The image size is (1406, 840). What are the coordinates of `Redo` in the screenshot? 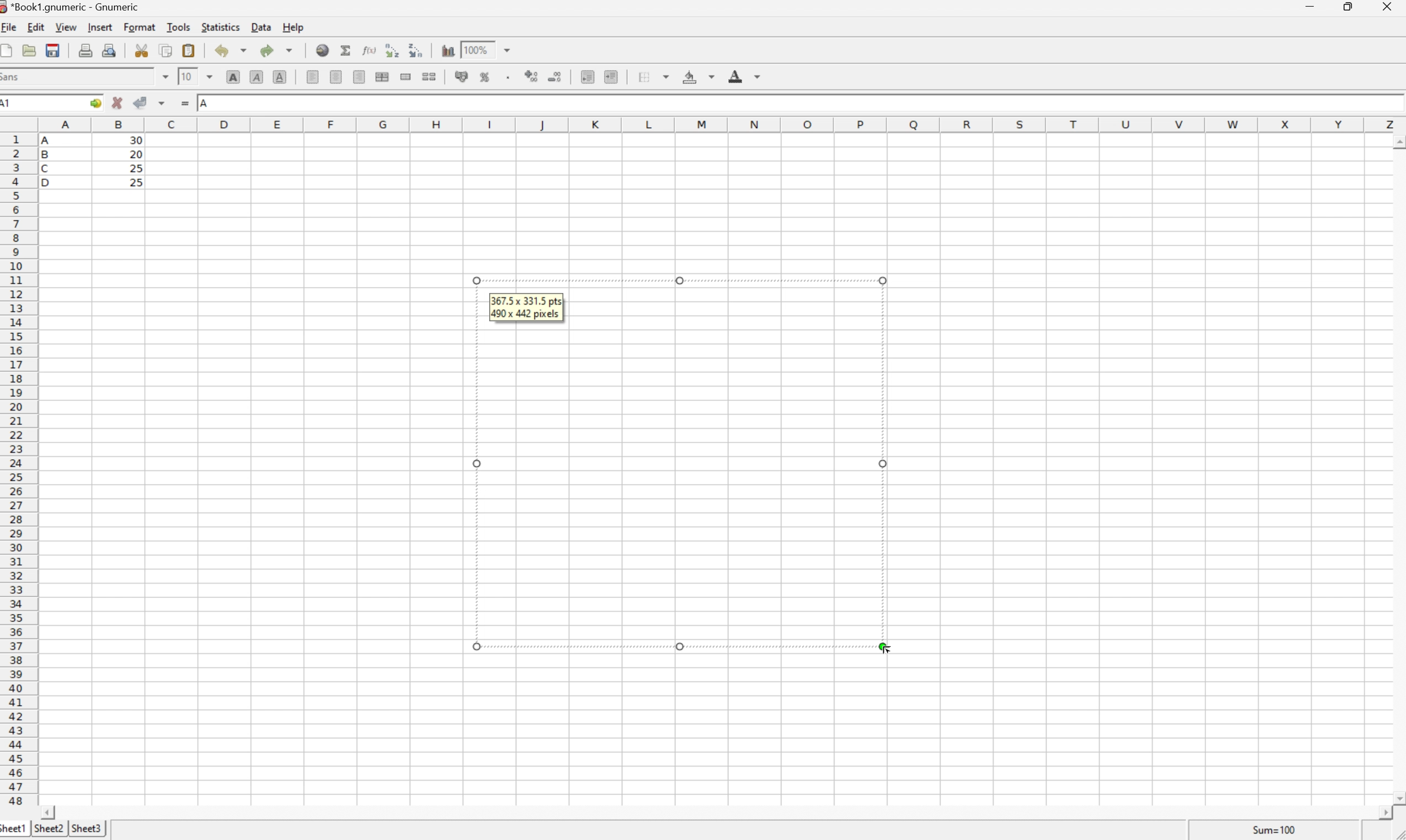 It's located at (275, 49).